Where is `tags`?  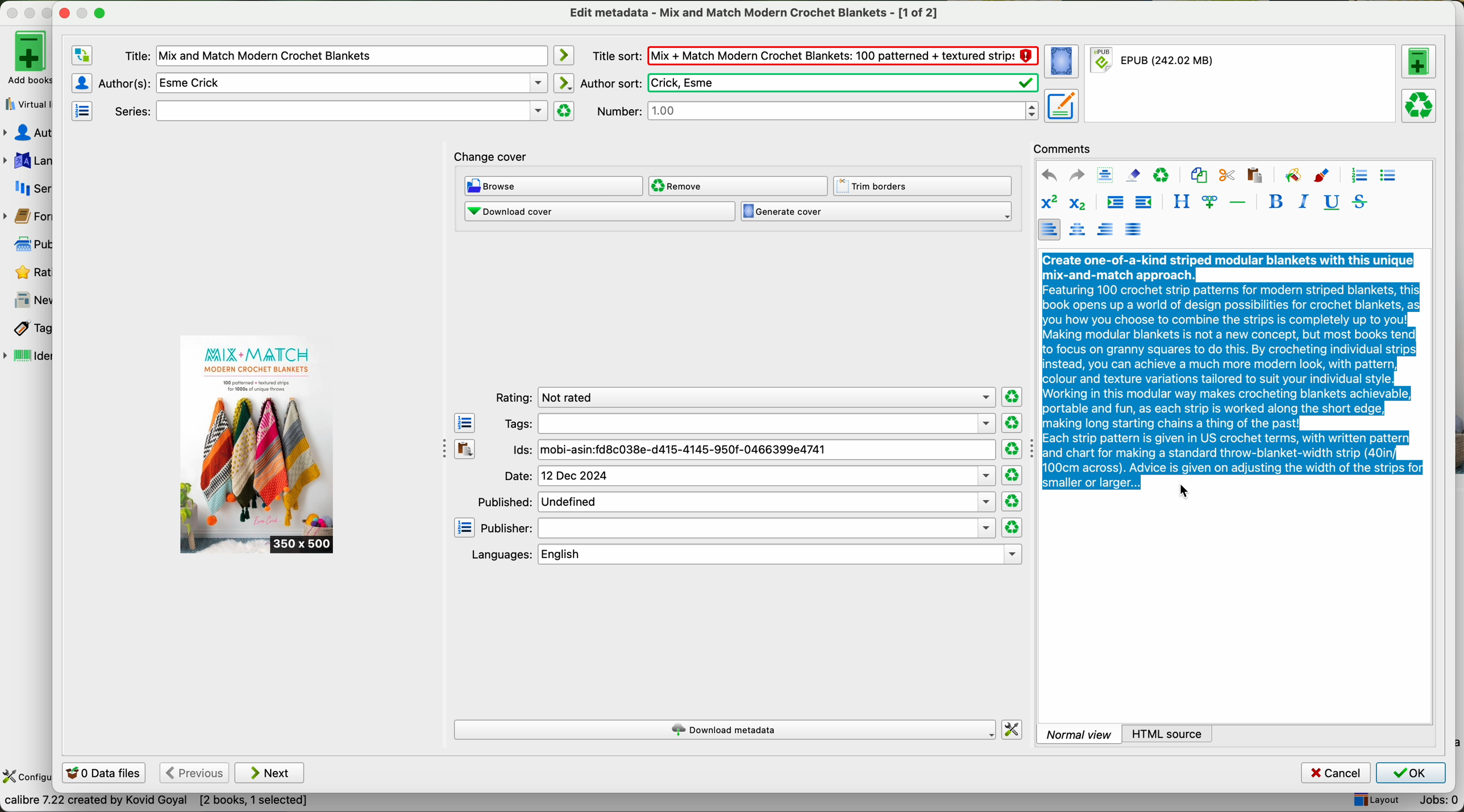
tags is located at coordinates (27, 329).